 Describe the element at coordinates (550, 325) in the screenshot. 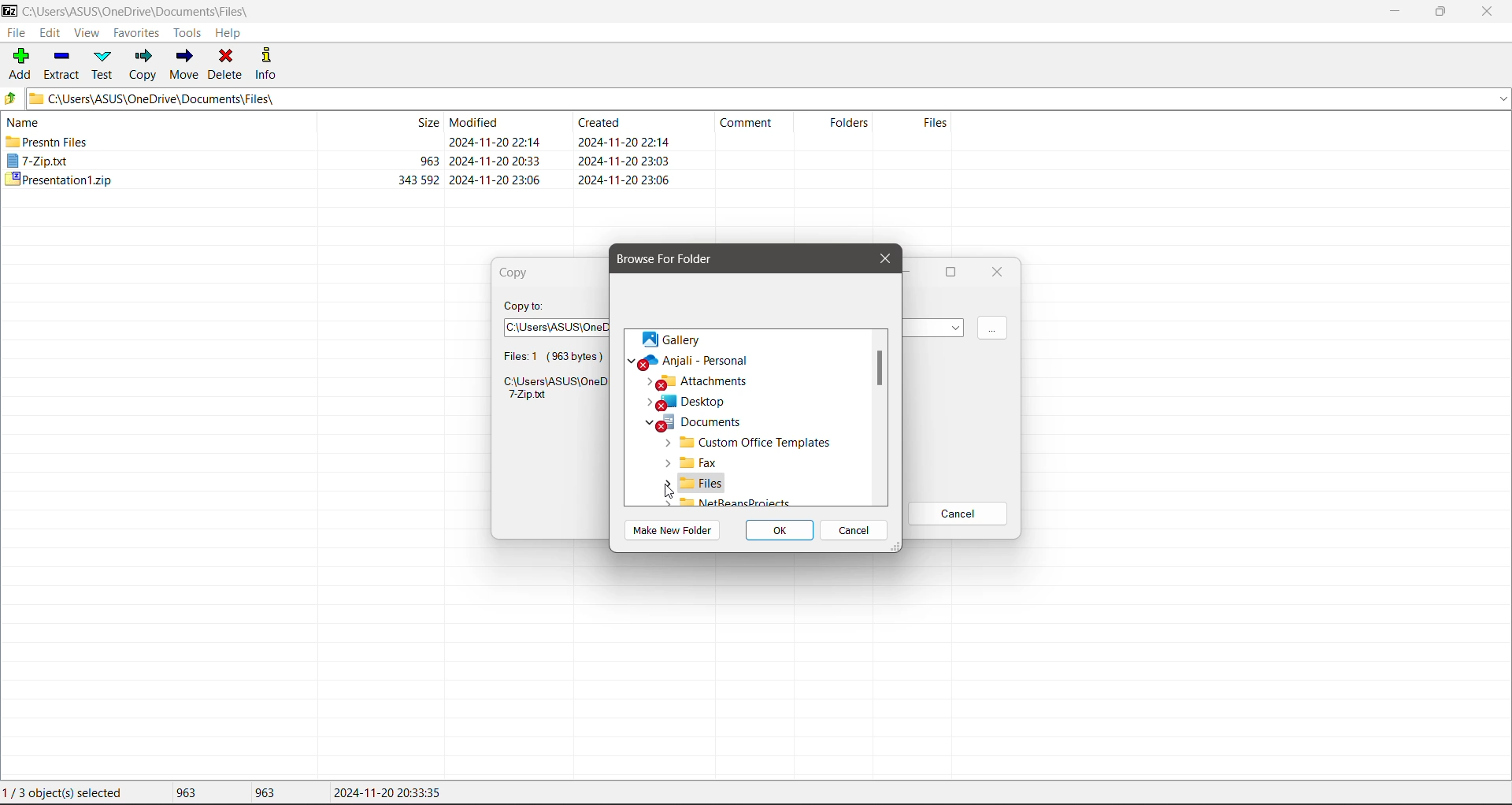

I see `Select a path to copy the selected file to` at that location.